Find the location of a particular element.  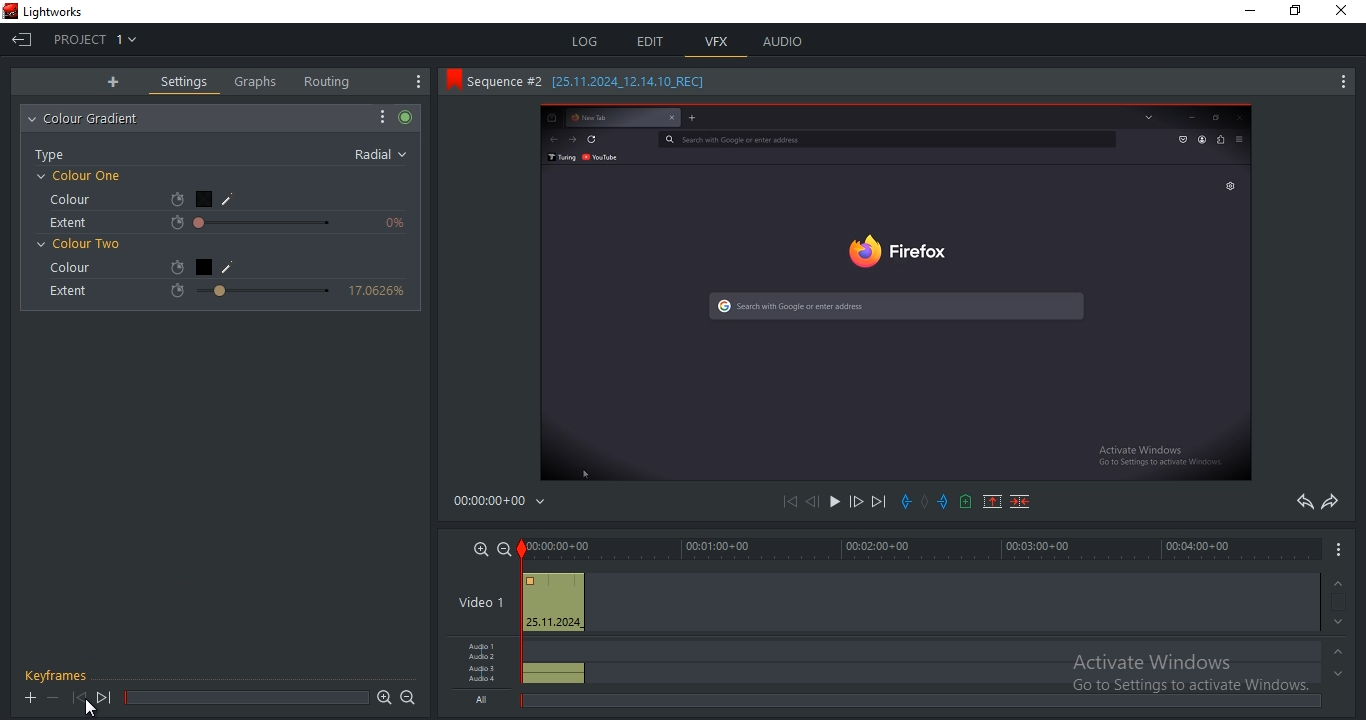

Selected color is located at coordinates (206, 268).